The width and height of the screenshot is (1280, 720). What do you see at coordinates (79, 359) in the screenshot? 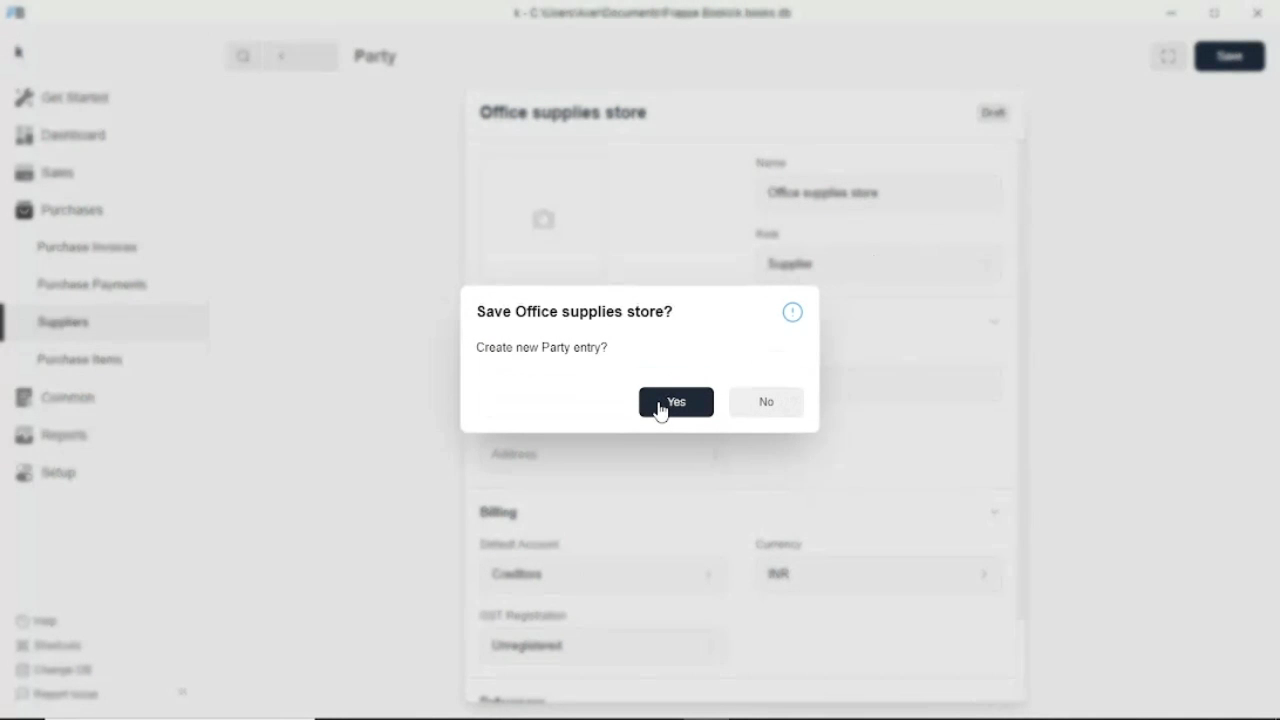
I see `Purchase items` at bounding box center [79, 359].